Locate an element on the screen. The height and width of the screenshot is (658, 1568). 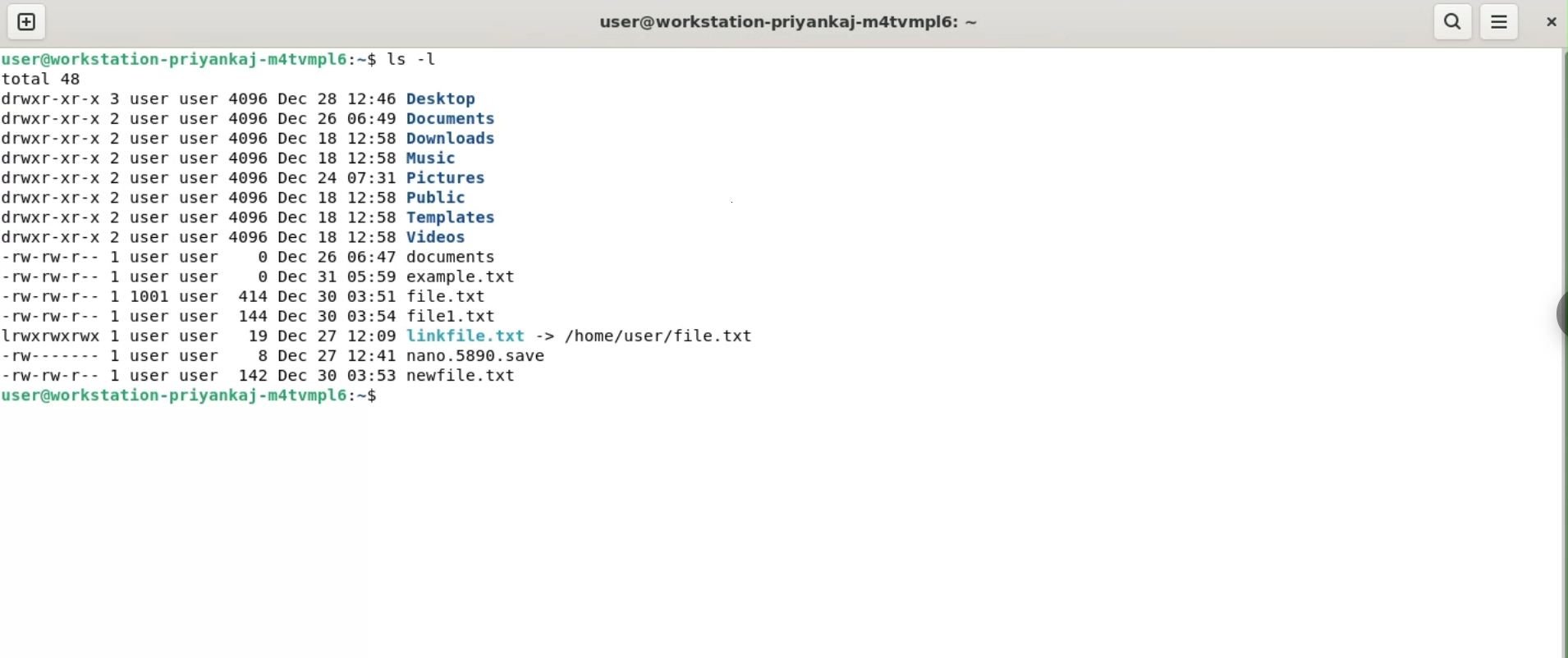
sidebar is located at coordinates (1558, 313).